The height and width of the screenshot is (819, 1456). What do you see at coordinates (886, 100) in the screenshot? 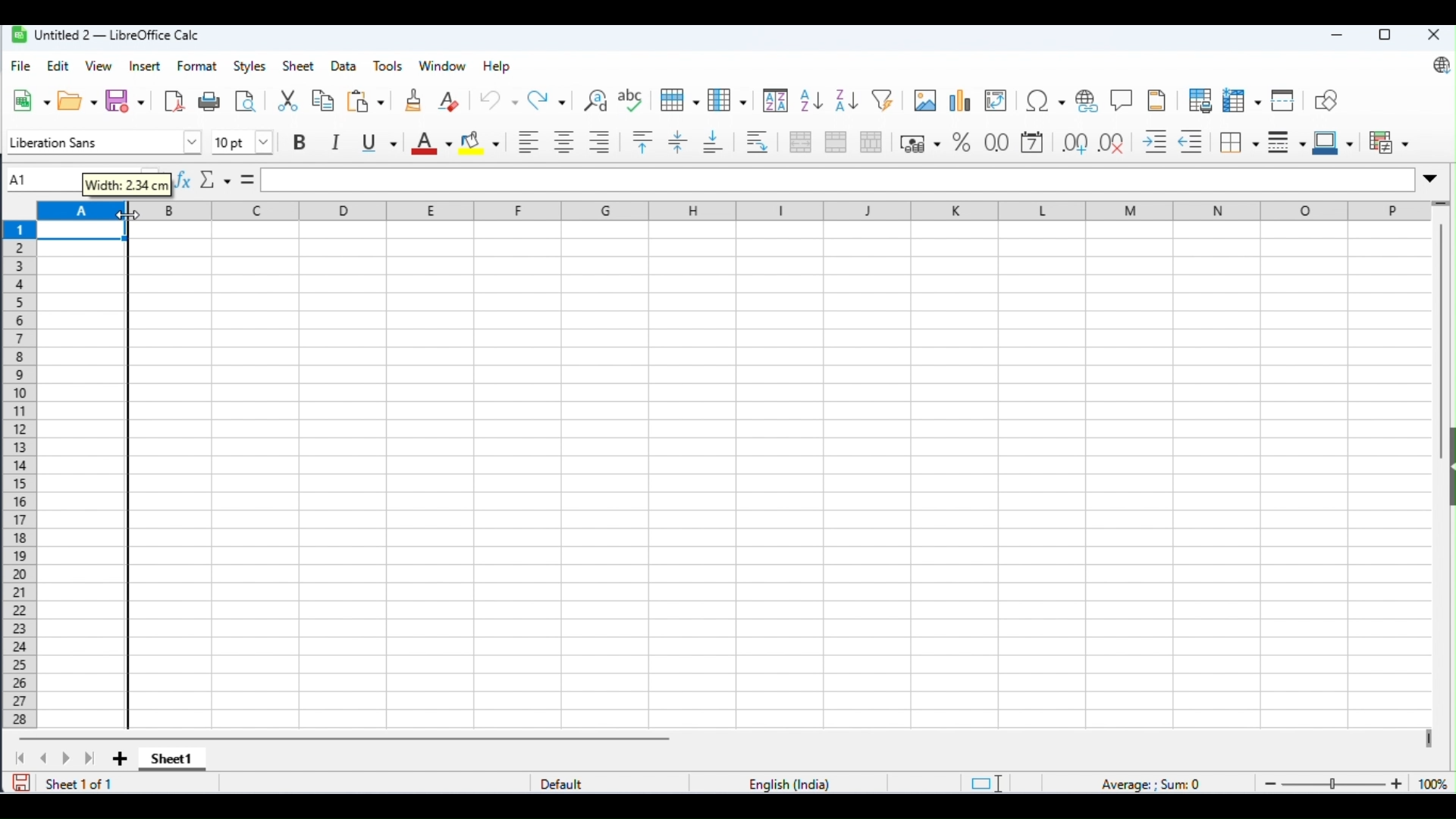
I see `filter` at bounding box center [886, 100].